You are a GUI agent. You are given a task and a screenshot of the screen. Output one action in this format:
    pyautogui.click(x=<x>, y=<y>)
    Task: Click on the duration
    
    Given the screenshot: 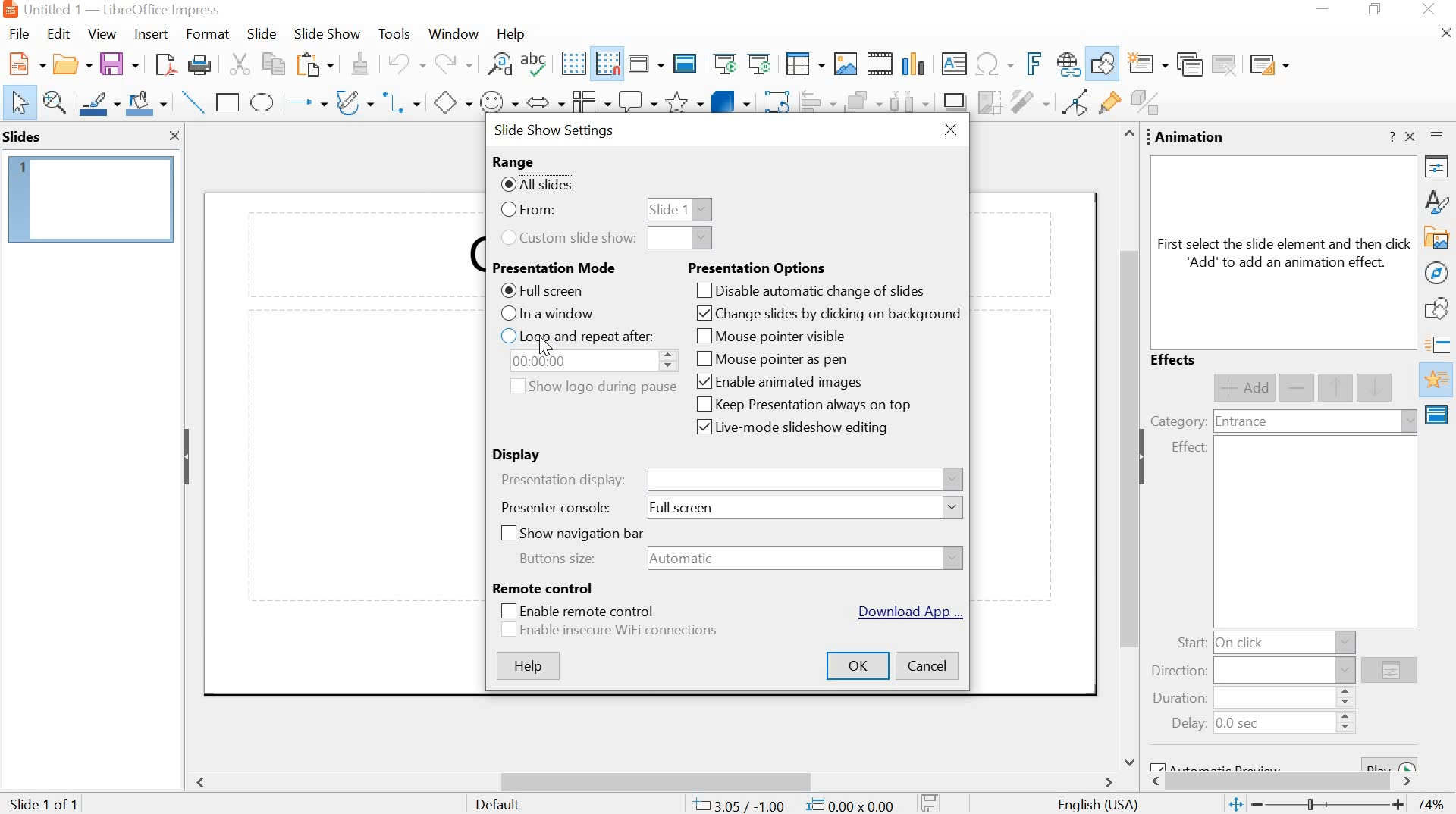 What is the action you would take?
    pyautogui.click(x=1176, y=700)
    